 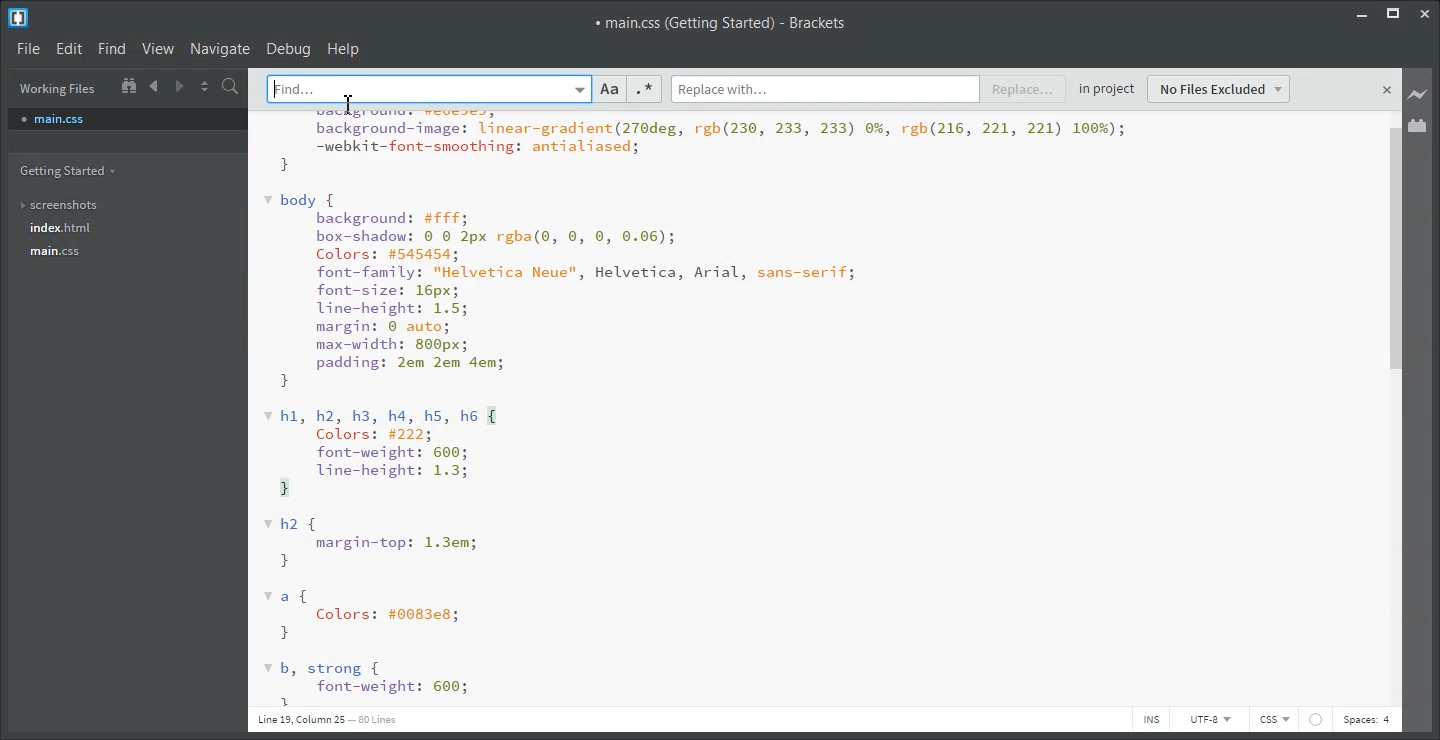 What do you see at coordinates (425, 89) in the screenshot?
I see `Find ` at bounding box center [425, 89].